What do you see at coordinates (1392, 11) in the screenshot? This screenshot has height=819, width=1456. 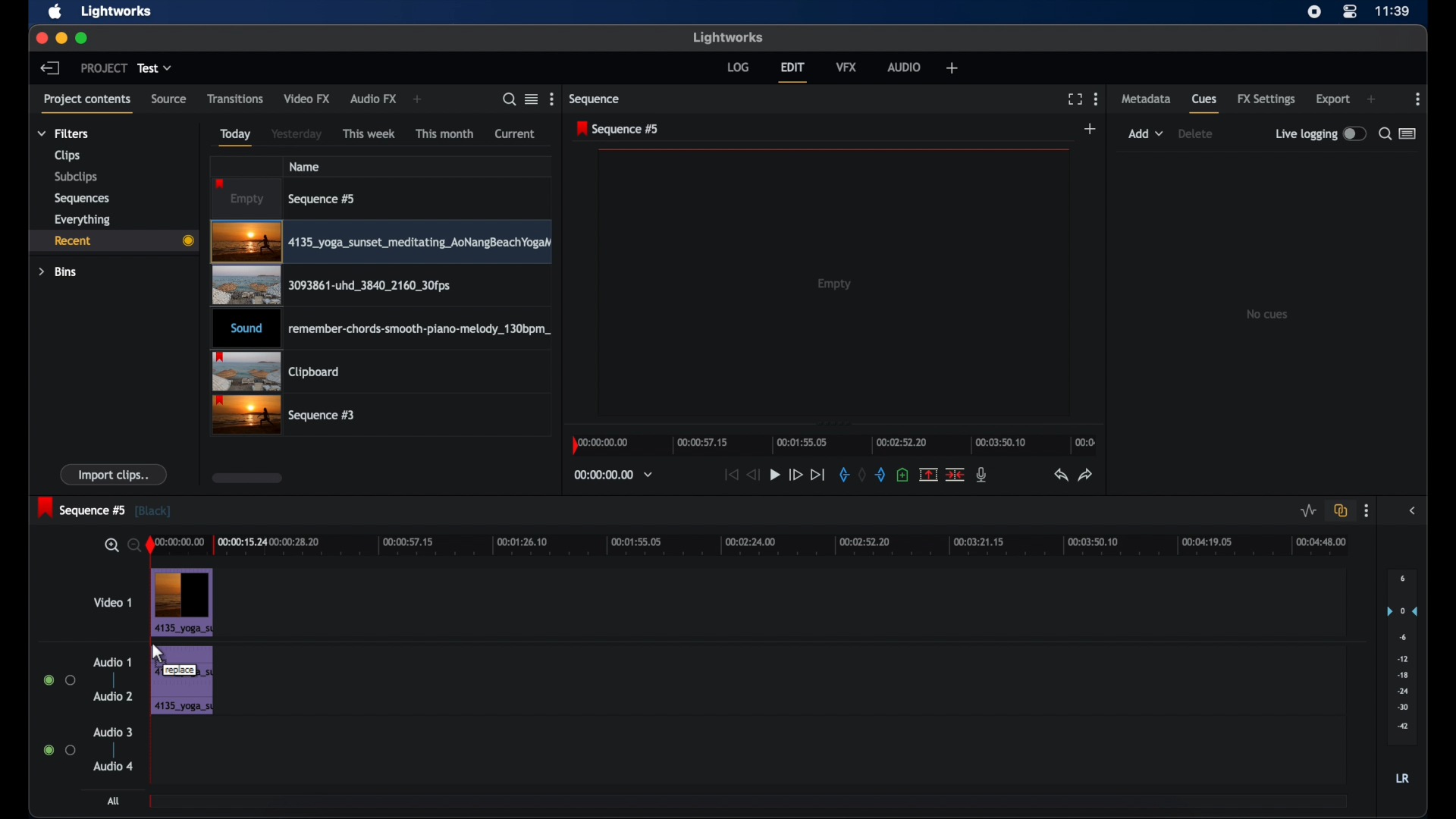 I see `time` at bounding box center [1392, 11].